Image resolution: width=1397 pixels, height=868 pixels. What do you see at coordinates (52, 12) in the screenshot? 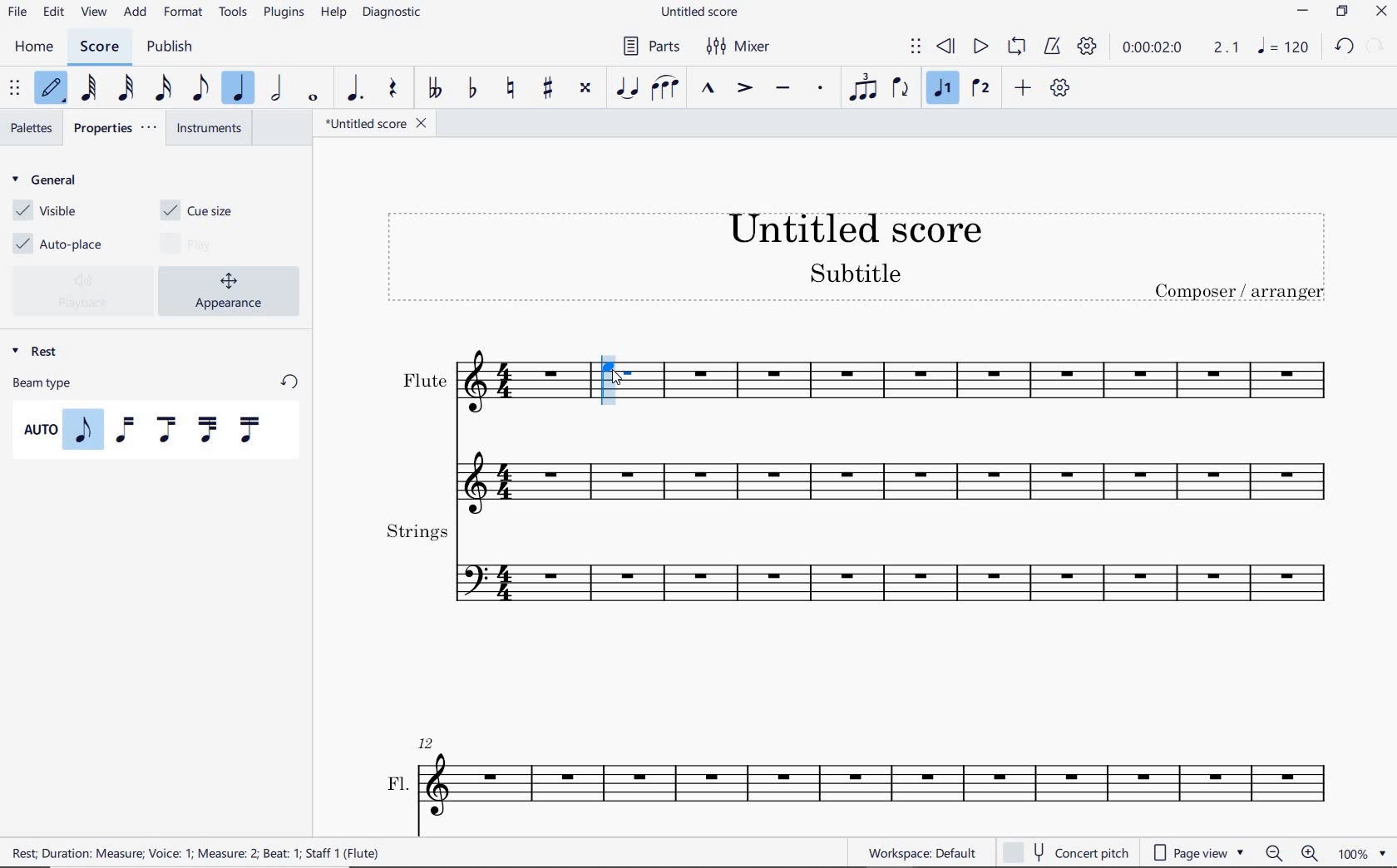
I see `edit` at bounding box center [52, 12].